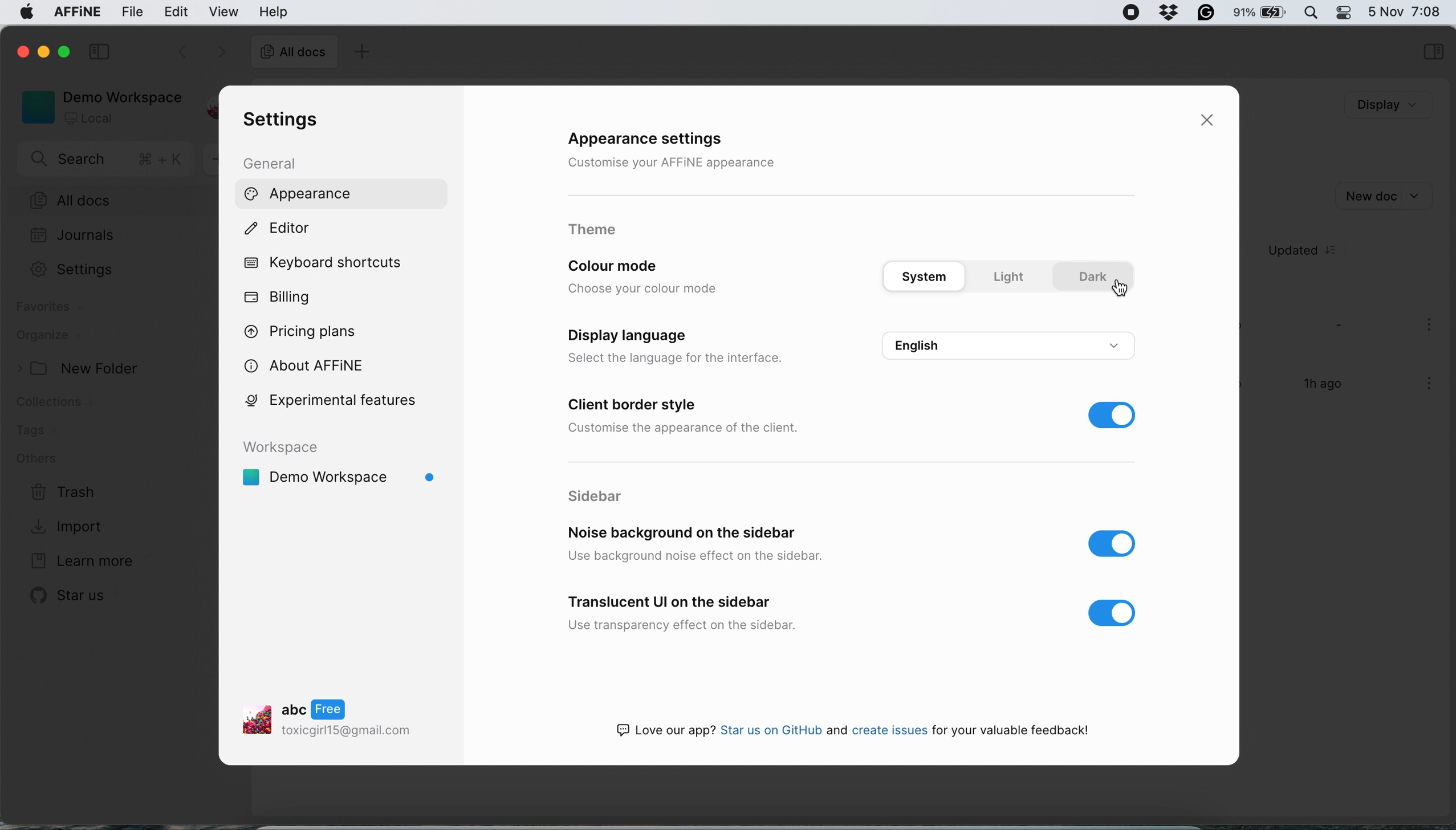 The image size is (1456, 830). Describe the element at coordinates (1207, 13) in the screenshot. I see `grammarly` at that location.